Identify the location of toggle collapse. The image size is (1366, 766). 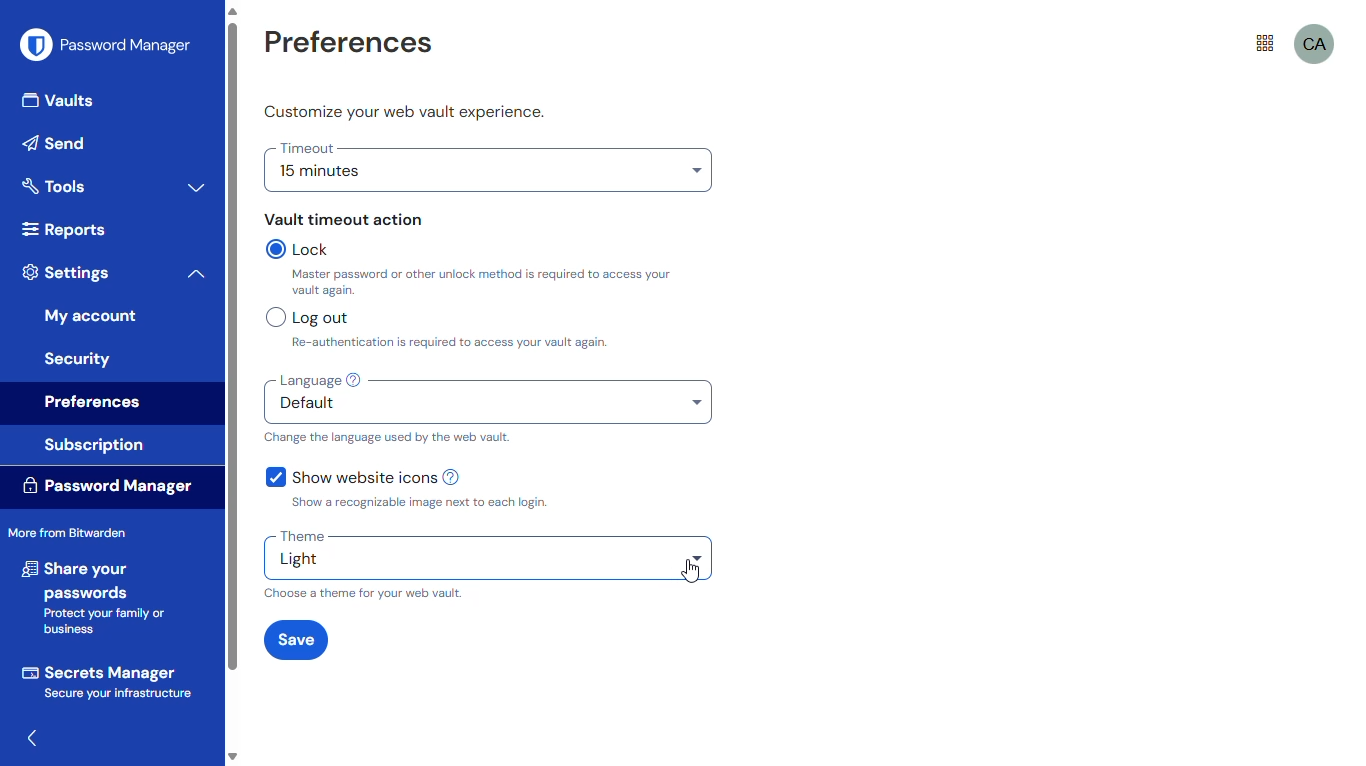
(196, 274).